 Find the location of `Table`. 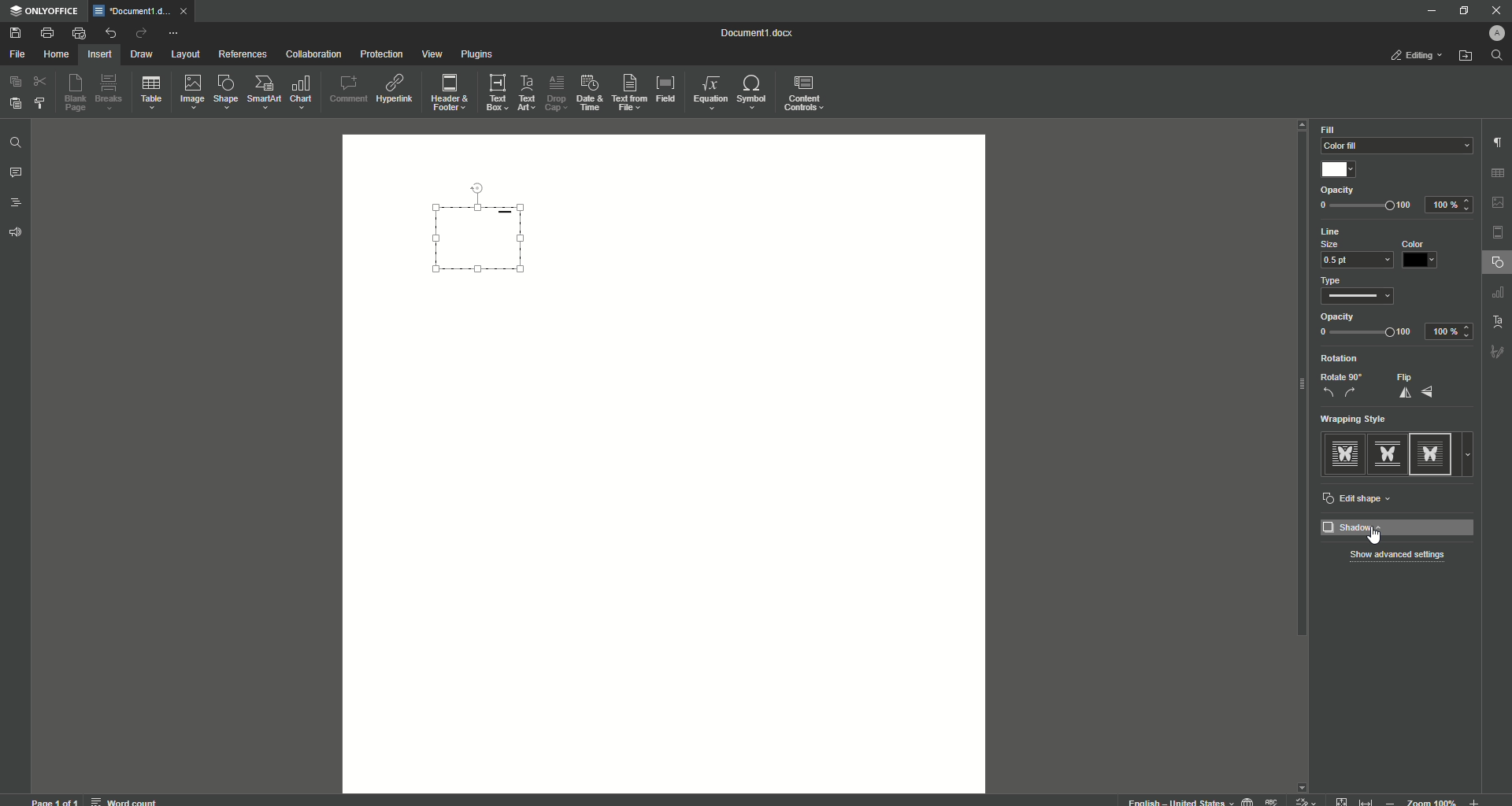

Table is located at coordinates (151, 95).